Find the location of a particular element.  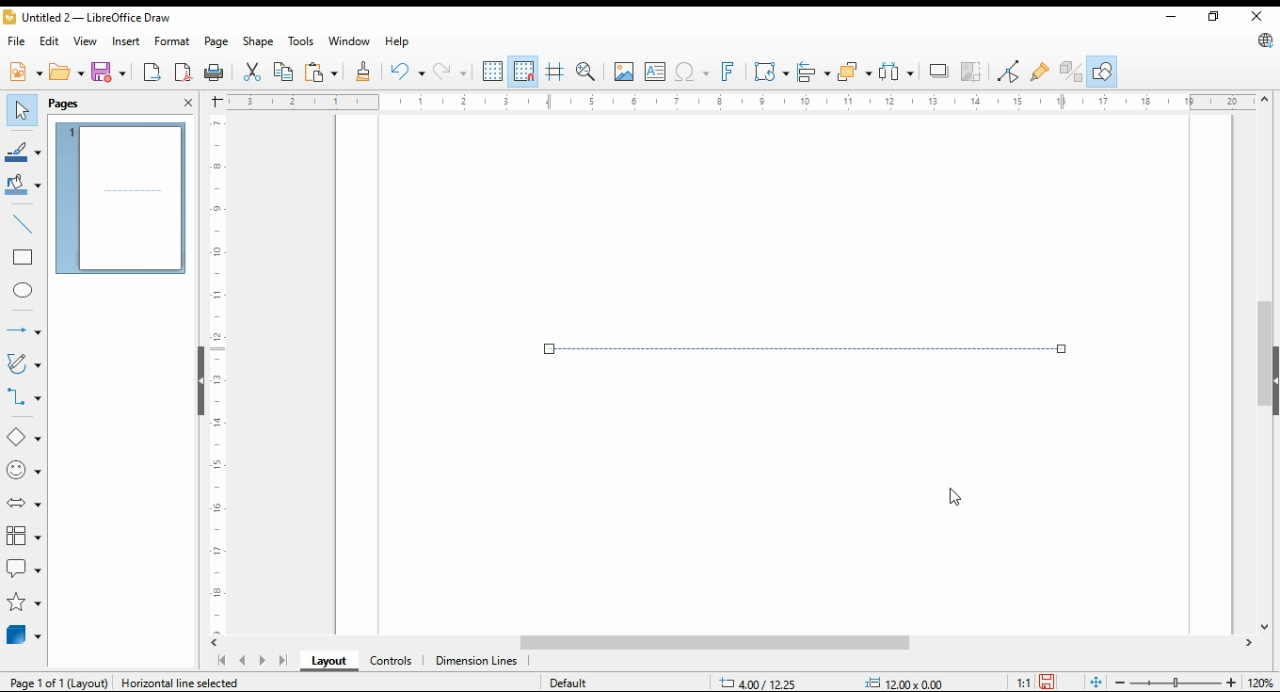

horizontal scale is located at coordinates (739, 102).